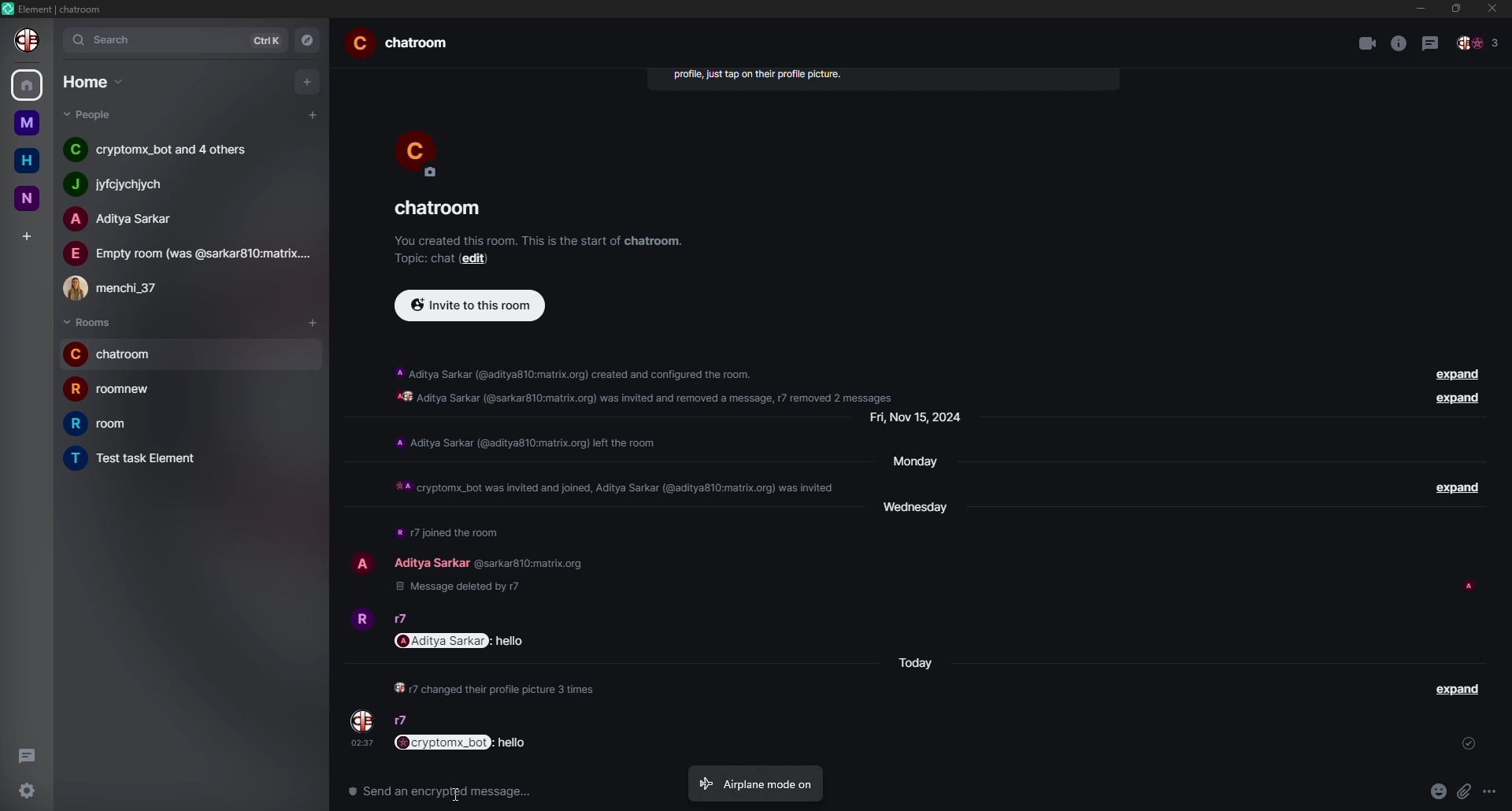 Image resolution: width=1512 pixels, height=811 pixels. Describe the element at coordinates (1469, 743) in the screenshot. I see `sent` at that location.